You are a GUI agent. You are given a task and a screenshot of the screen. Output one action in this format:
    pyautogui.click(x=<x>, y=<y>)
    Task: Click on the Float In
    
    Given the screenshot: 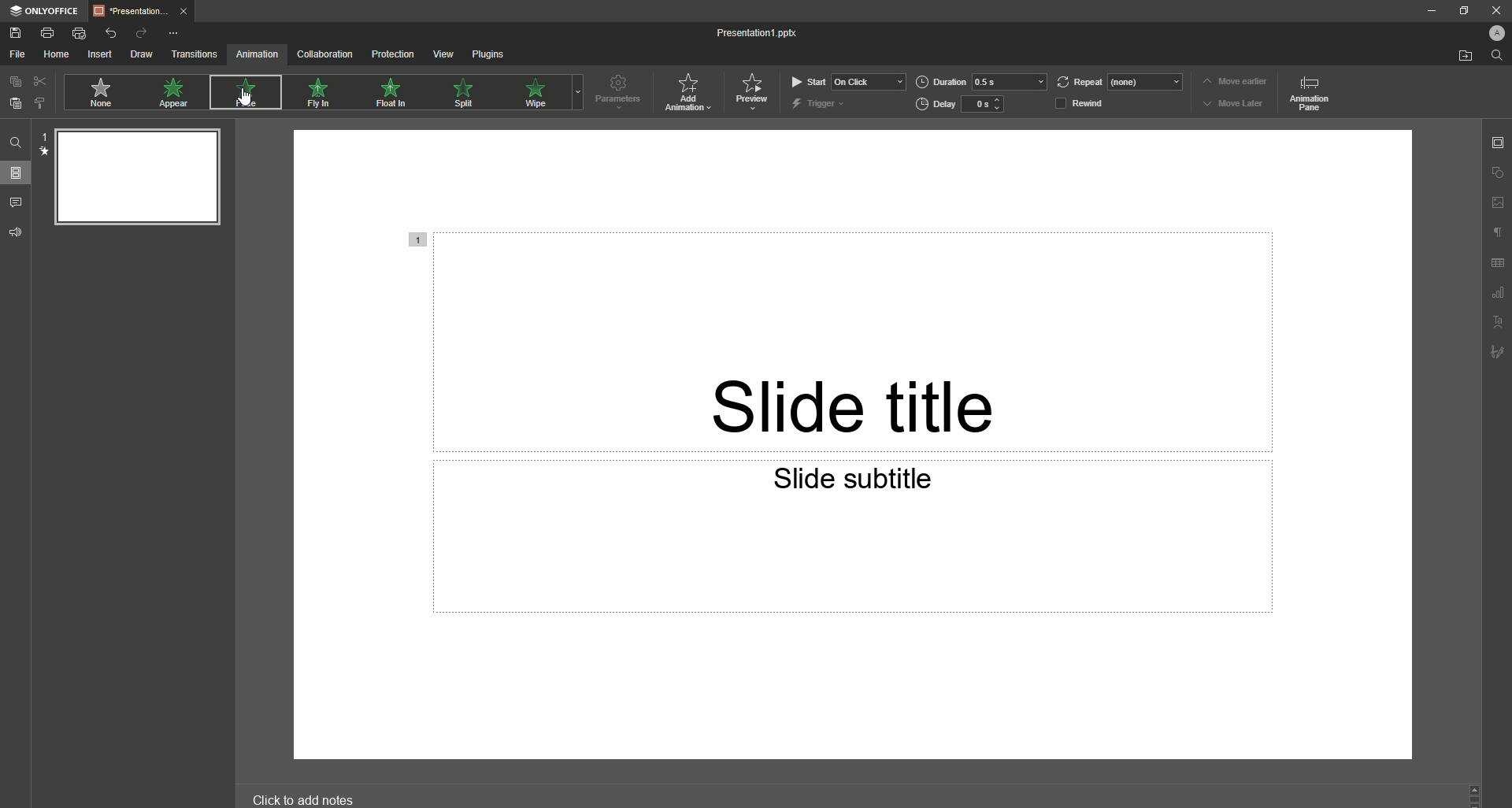 What is the action you would take?
    pyautogui.click(x=393, y=93)
    